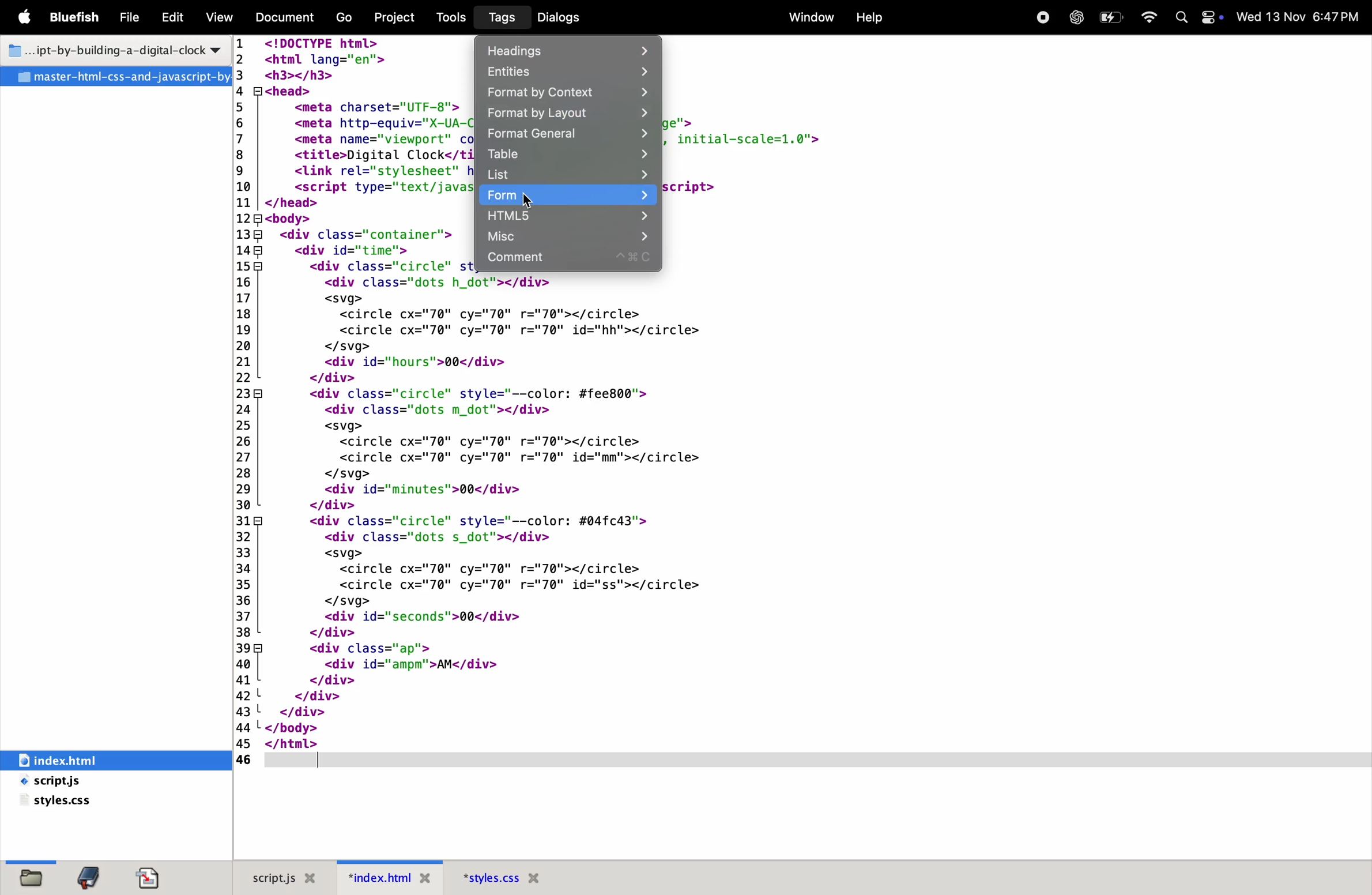  I want to click on help, so click(870, 20).